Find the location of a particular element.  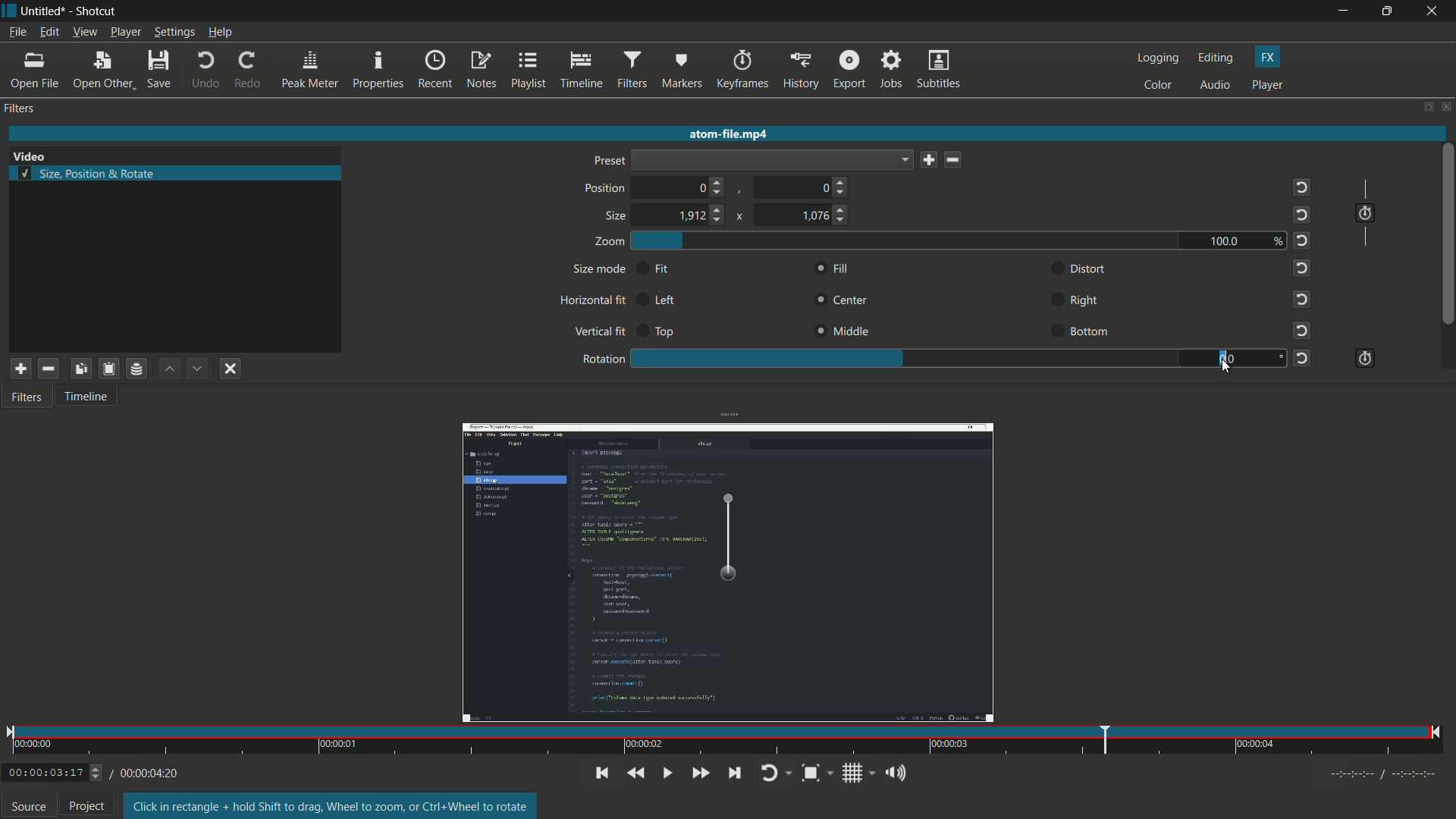

reset to default is located at coordinates (1302, 241).